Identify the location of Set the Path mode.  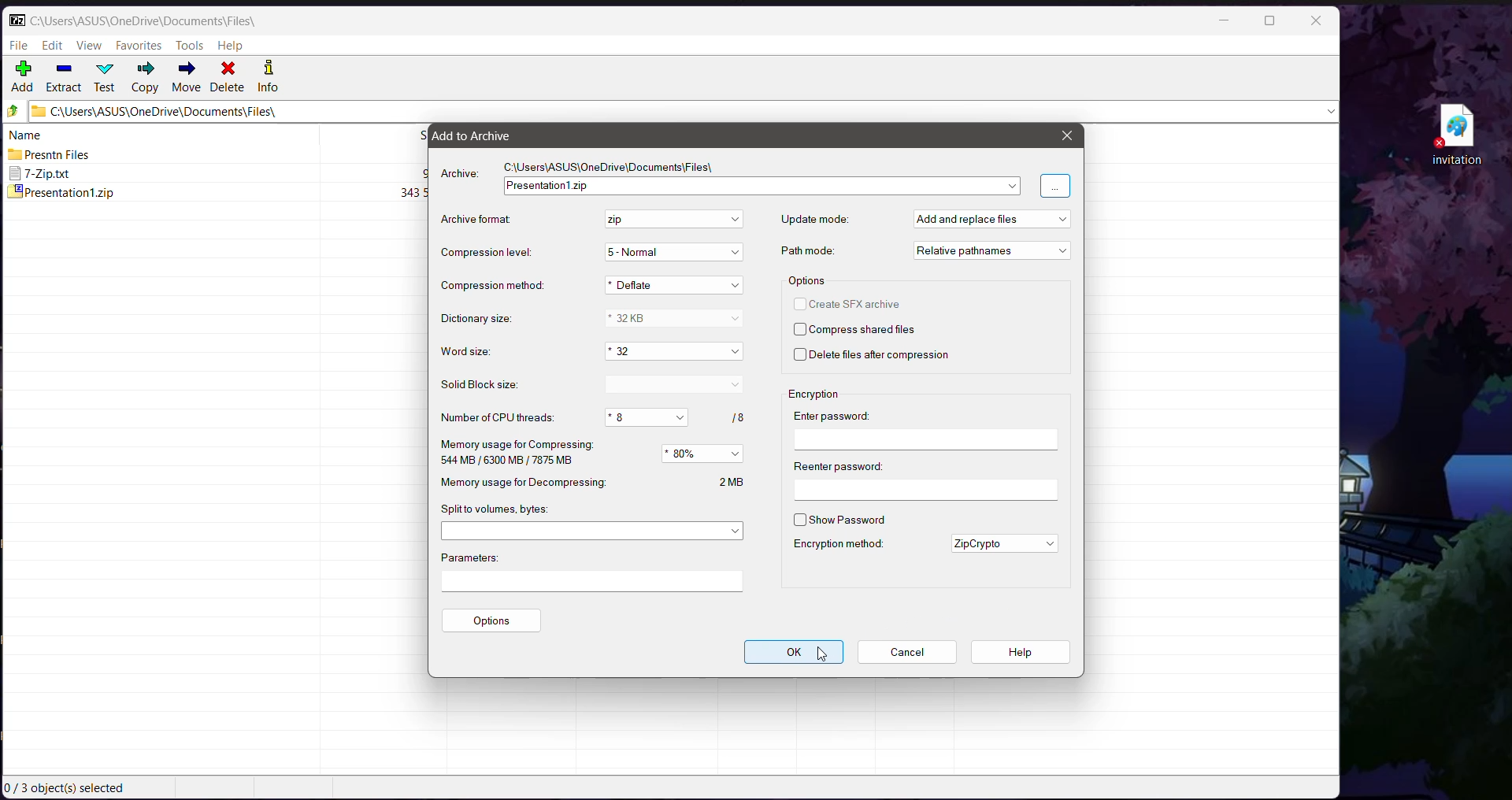
(989, 250).